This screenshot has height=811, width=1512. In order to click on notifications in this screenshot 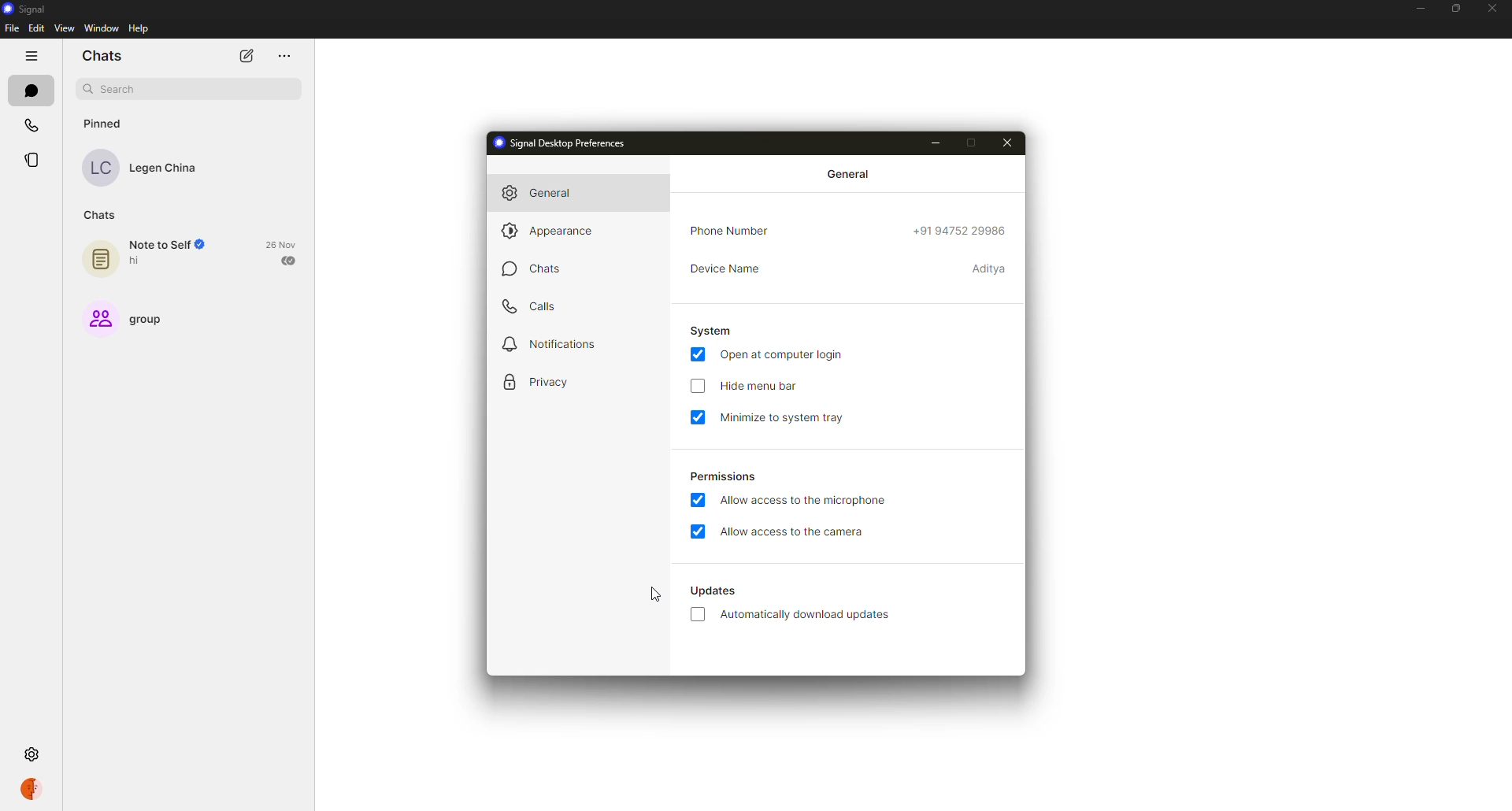, I will do `click(550, 345)`.